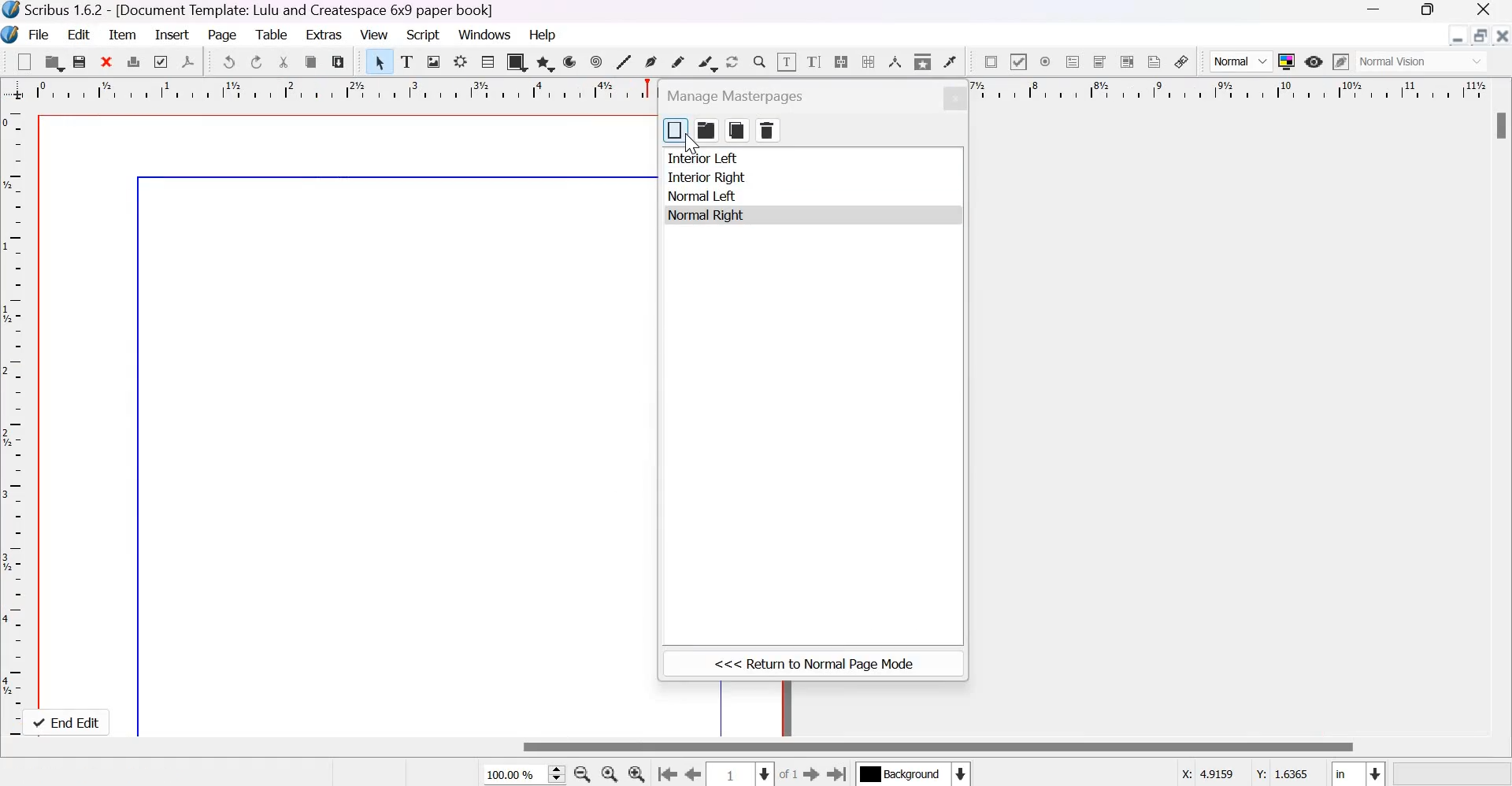  Describe the element at coordinates (71, 722) in the screenshot. I see `end edit` at that location.